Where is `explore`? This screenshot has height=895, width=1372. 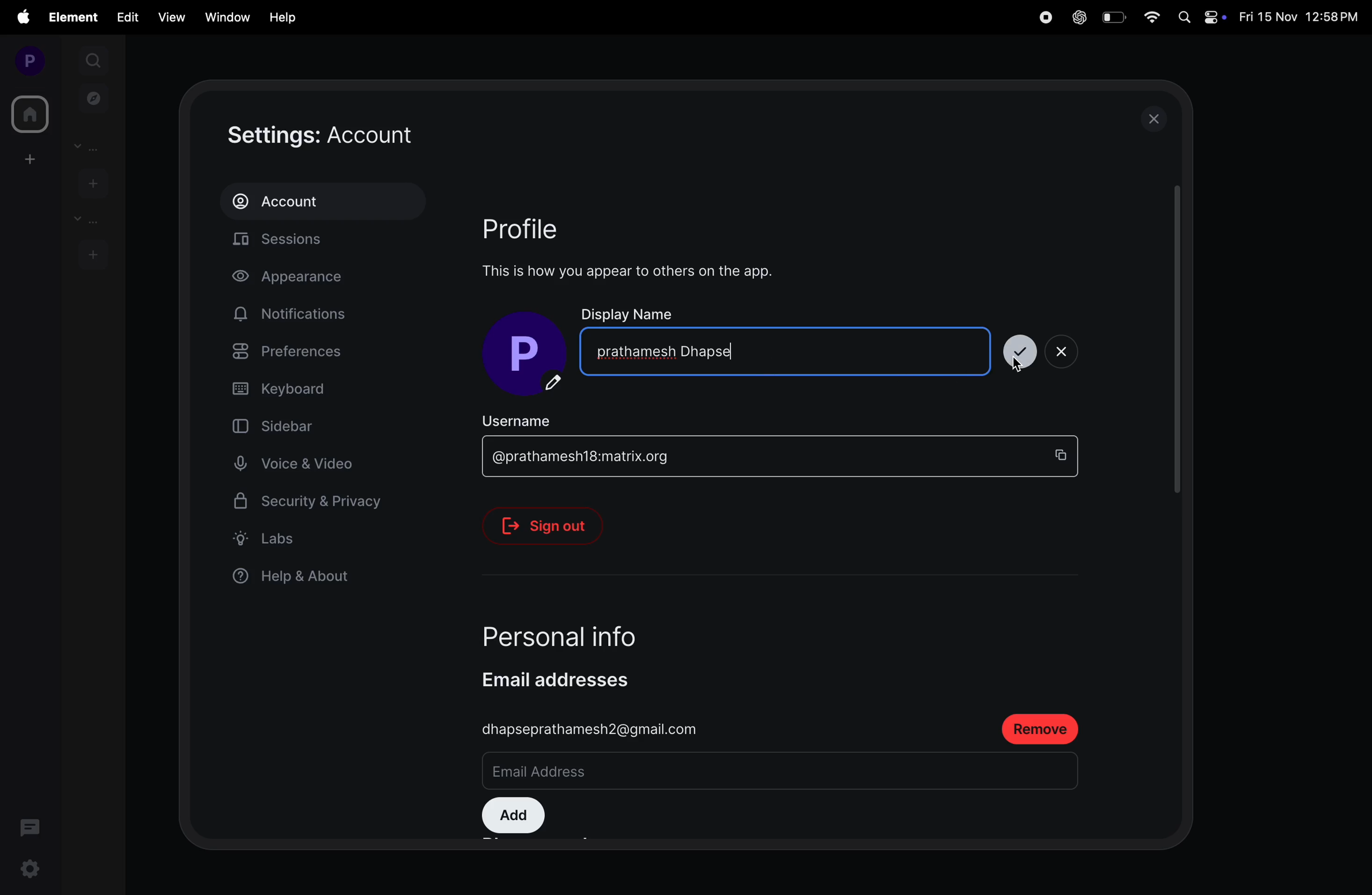 explore is located at coordinates (94, 97).